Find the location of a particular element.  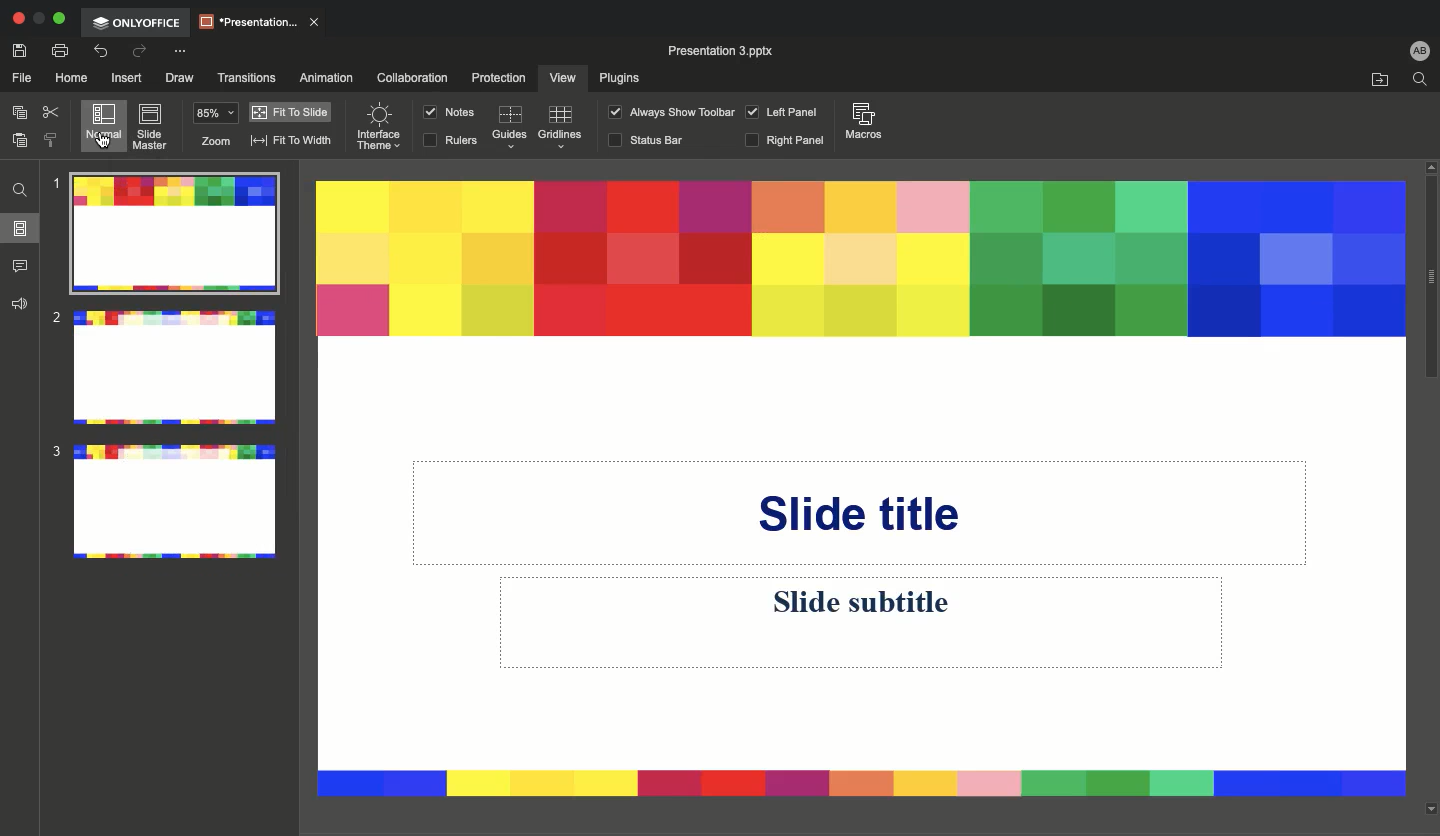

Always show toolbar is located at coordinates (666, 112).